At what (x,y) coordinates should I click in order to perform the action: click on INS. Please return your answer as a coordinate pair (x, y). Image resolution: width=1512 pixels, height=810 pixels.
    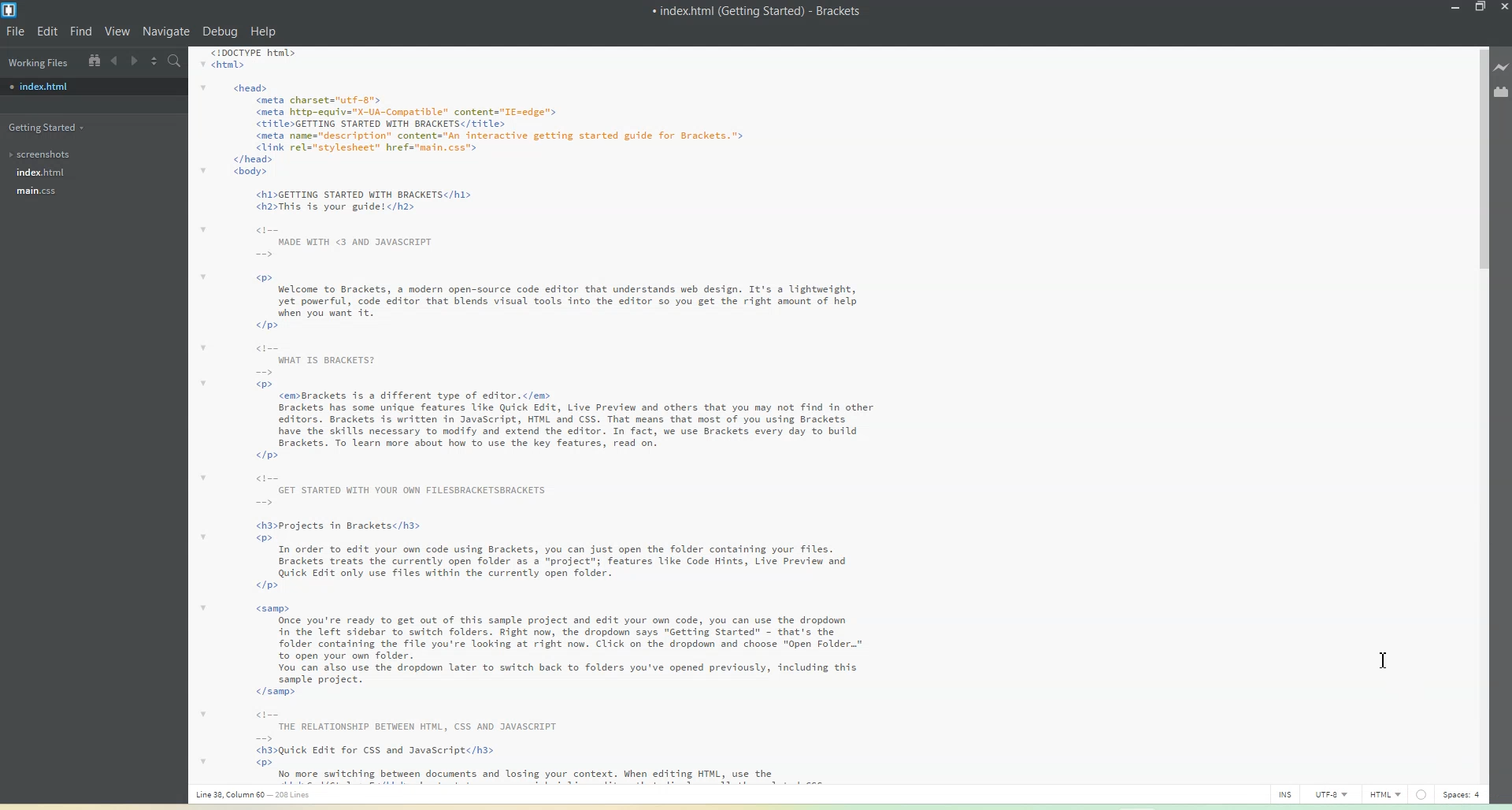
    Looking at the image, I should click on (1281, 793).